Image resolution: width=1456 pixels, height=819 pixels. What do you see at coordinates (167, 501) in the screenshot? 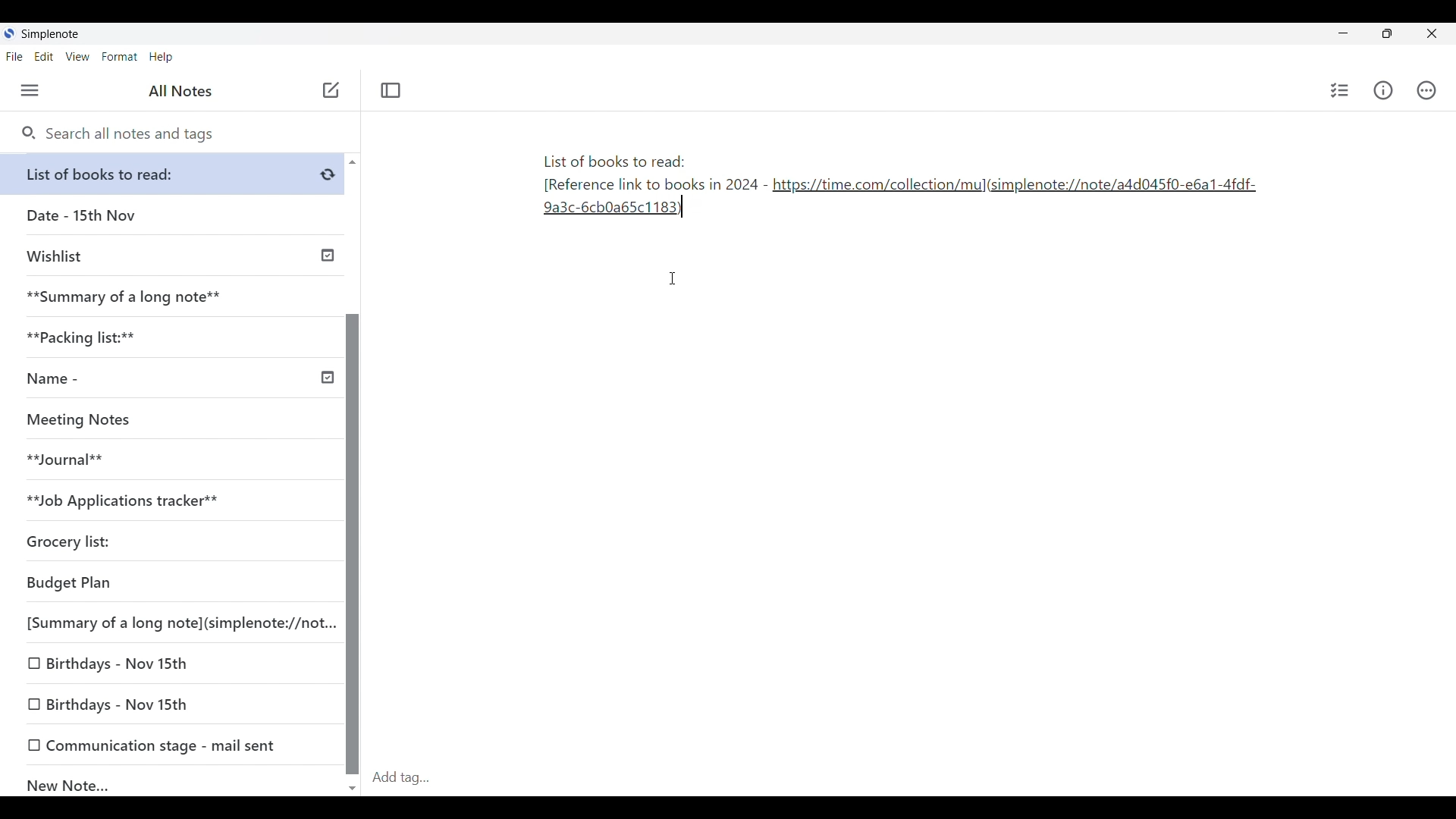
I see `**Job Applications tracker**` at bounding box center [167, 501].